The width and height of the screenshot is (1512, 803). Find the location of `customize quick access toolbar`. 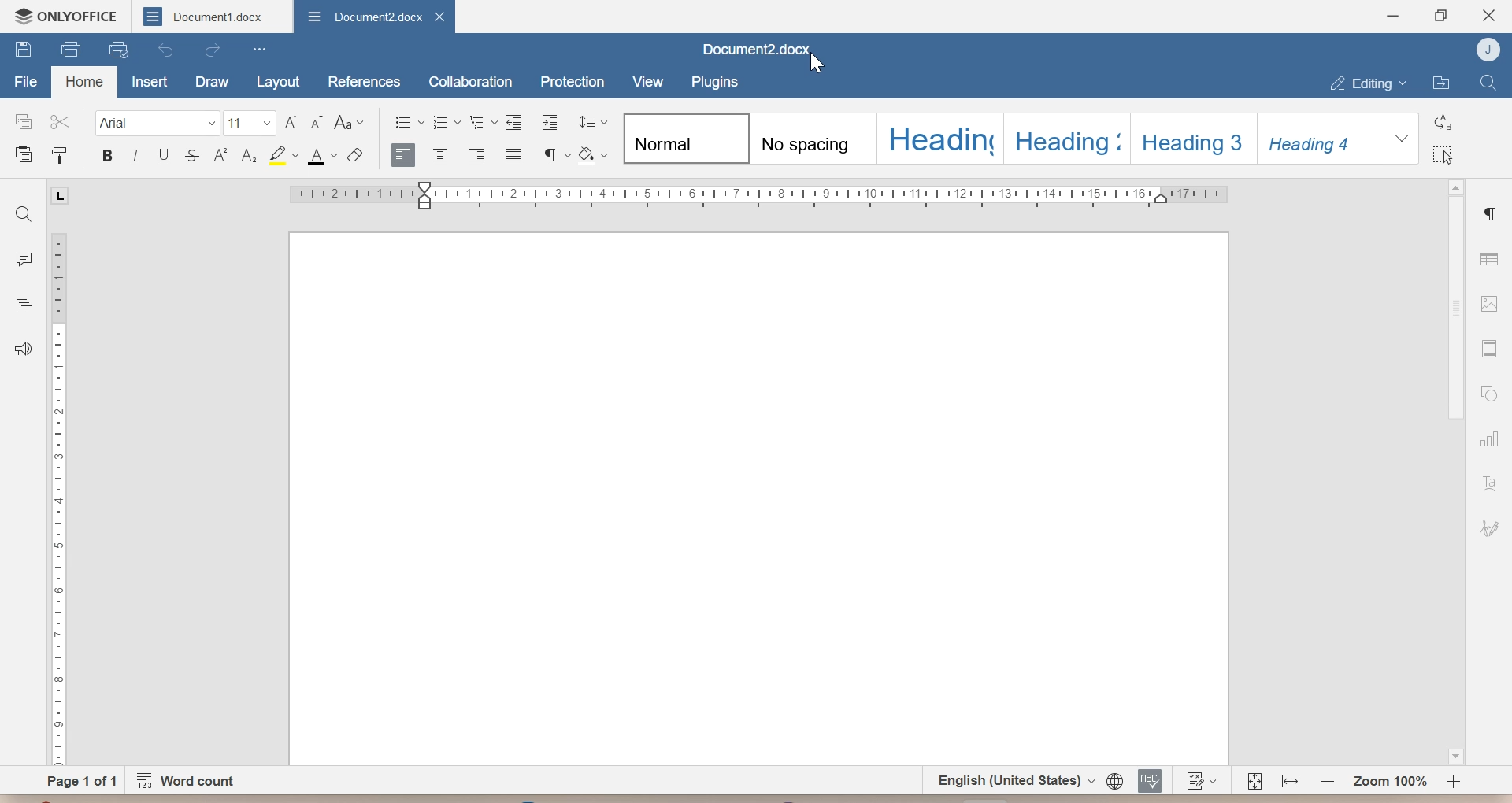

customize quick access toolbar is located at coordinates (259, 50).